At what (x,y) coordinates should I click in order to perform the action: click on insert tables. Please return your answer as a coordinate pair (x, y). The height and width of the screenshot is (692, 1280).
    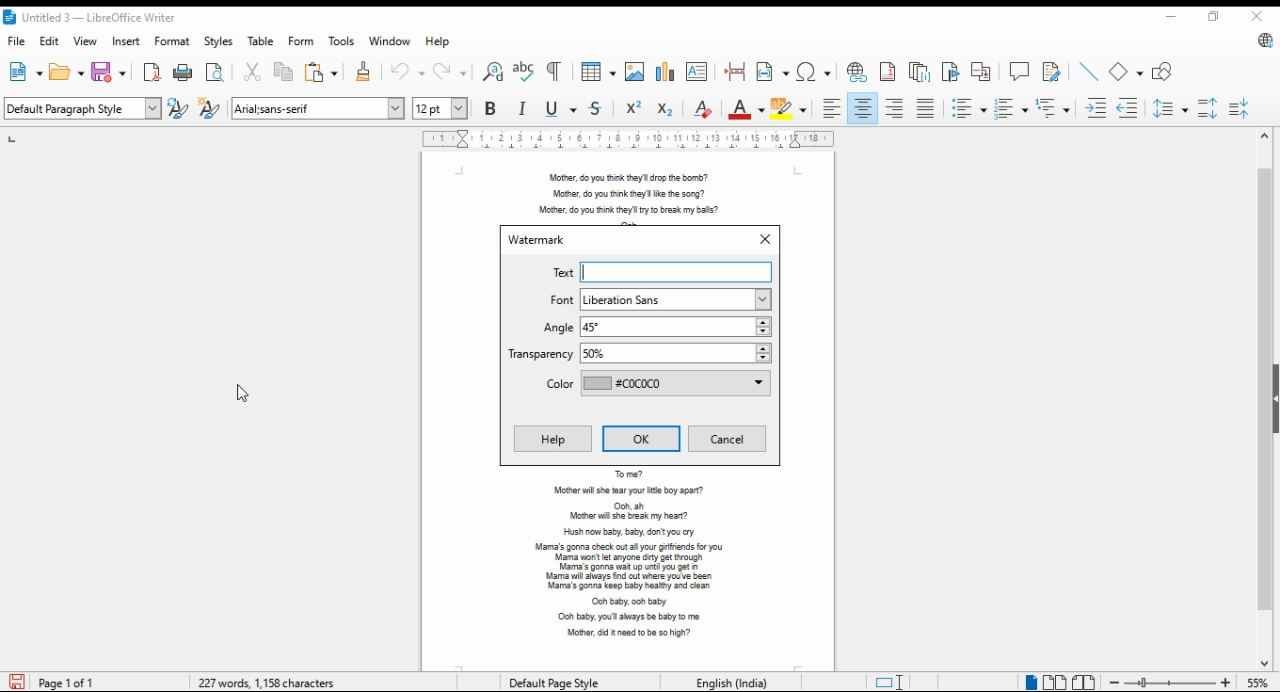
    Looking at the image, I should click on (599, 72).